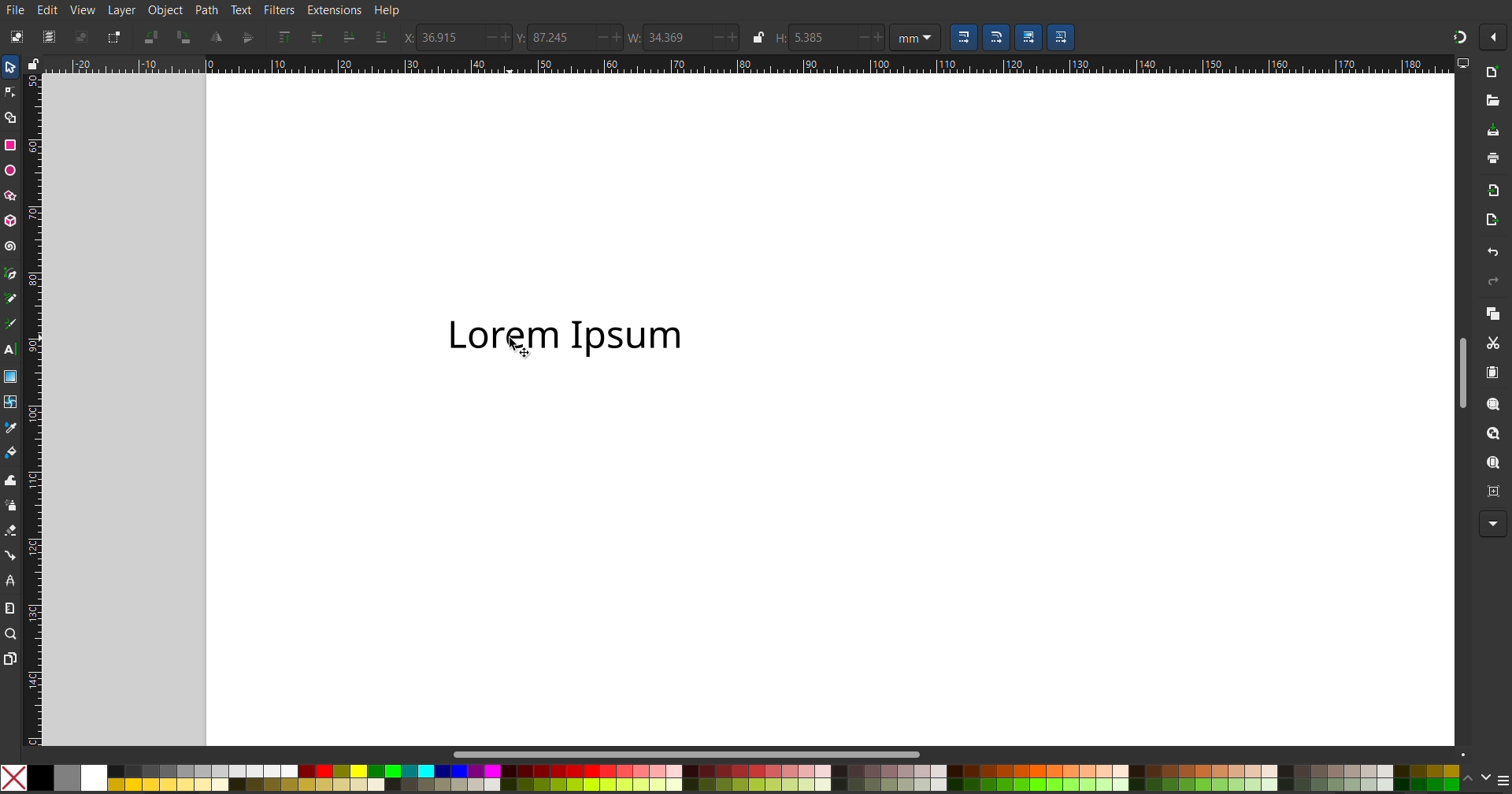 The image size is (1512, 794). What do you see at coordinates (247, 38) in the screenshot?
I see `Mirror Horizontally` at bounding box center [247, 38].